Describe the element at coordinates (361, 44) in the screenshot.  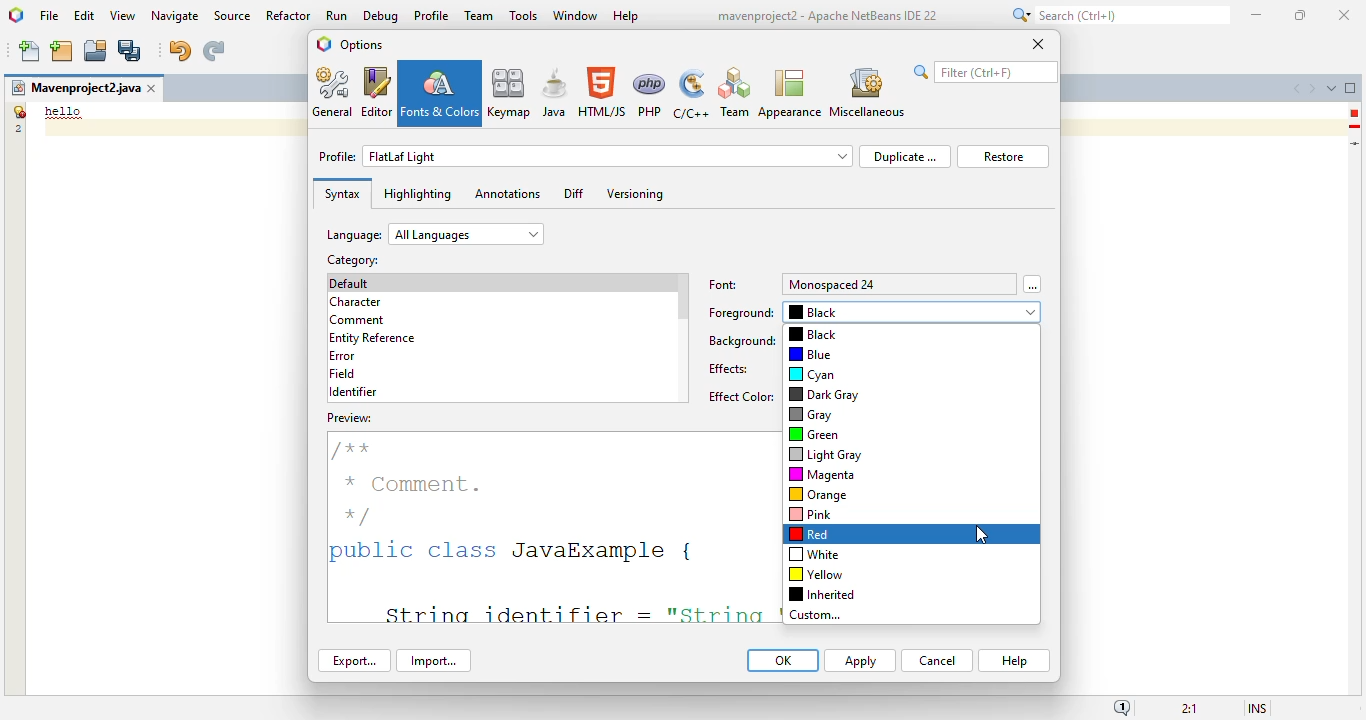
I see `options` at that location.